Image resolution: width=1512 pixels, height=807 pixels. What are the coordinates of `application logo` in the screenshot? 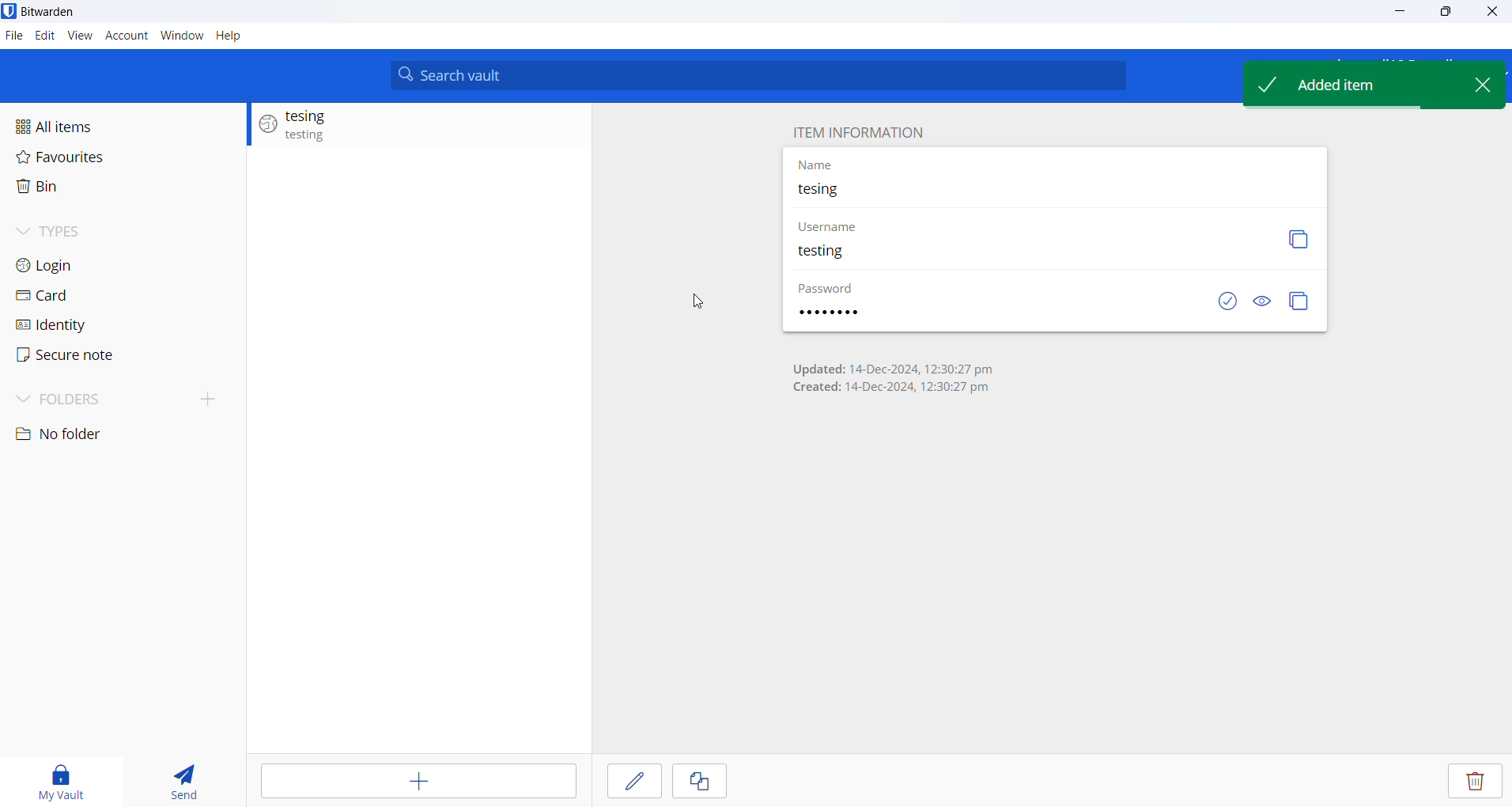 It's located at (9, 10).